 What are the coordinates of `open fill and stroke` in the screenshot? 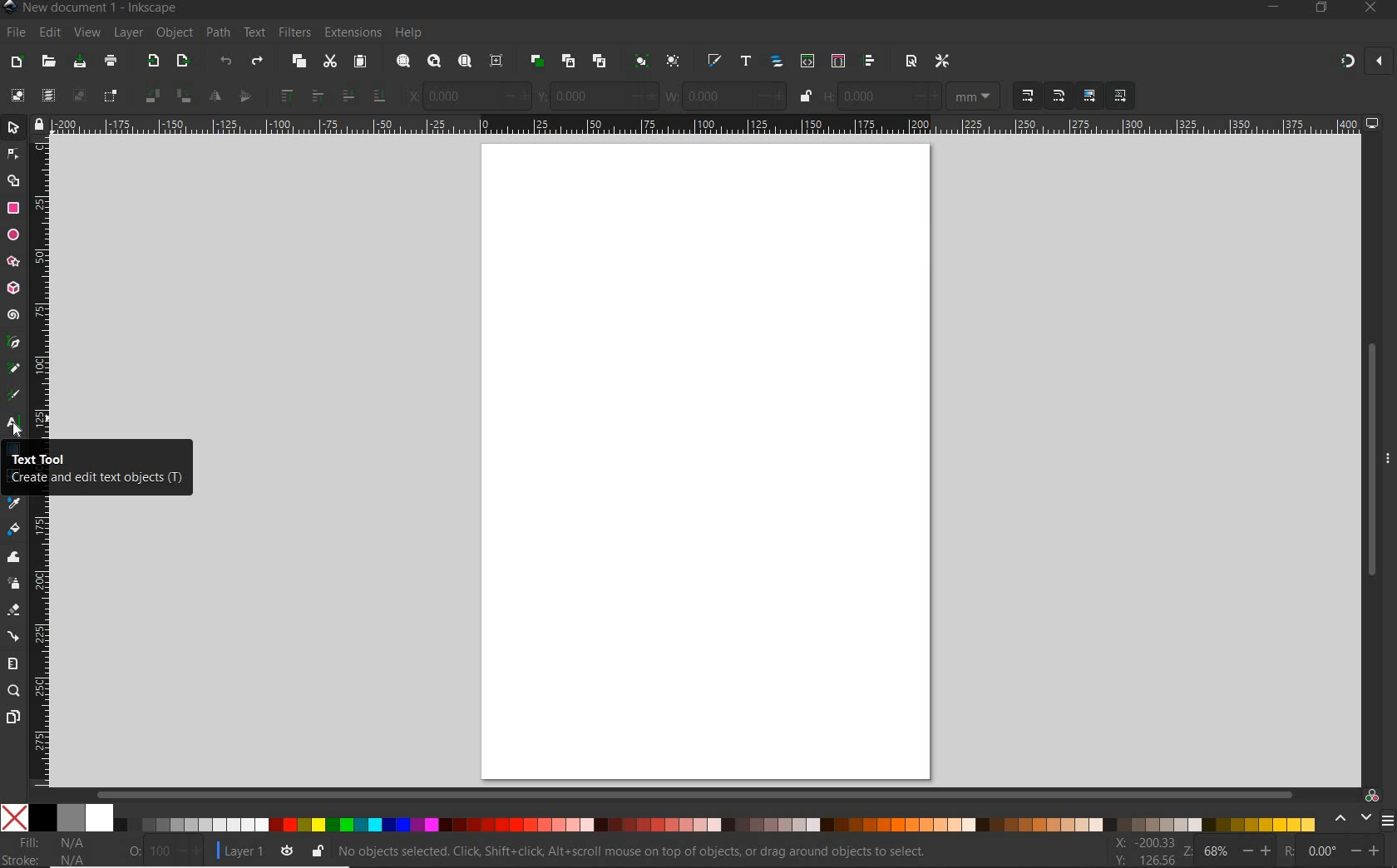 It's located at (713, 61).